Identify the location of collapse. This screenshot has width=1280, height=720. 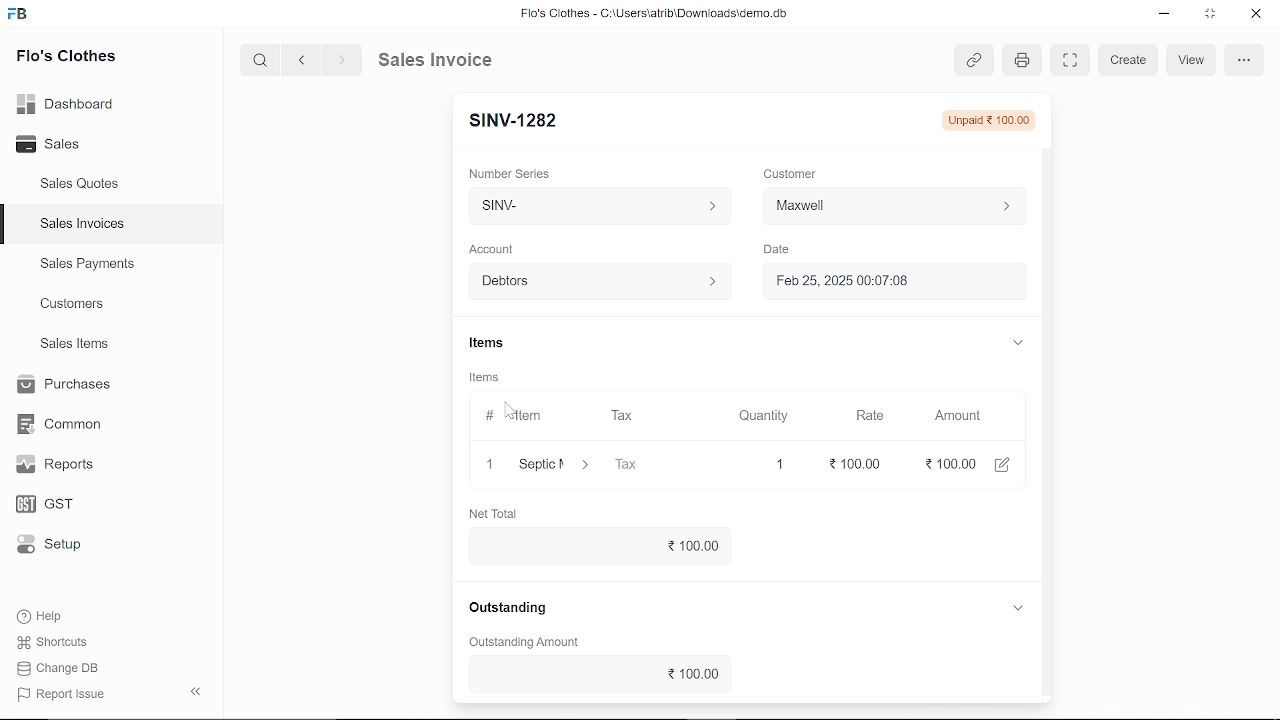
(198, 693).